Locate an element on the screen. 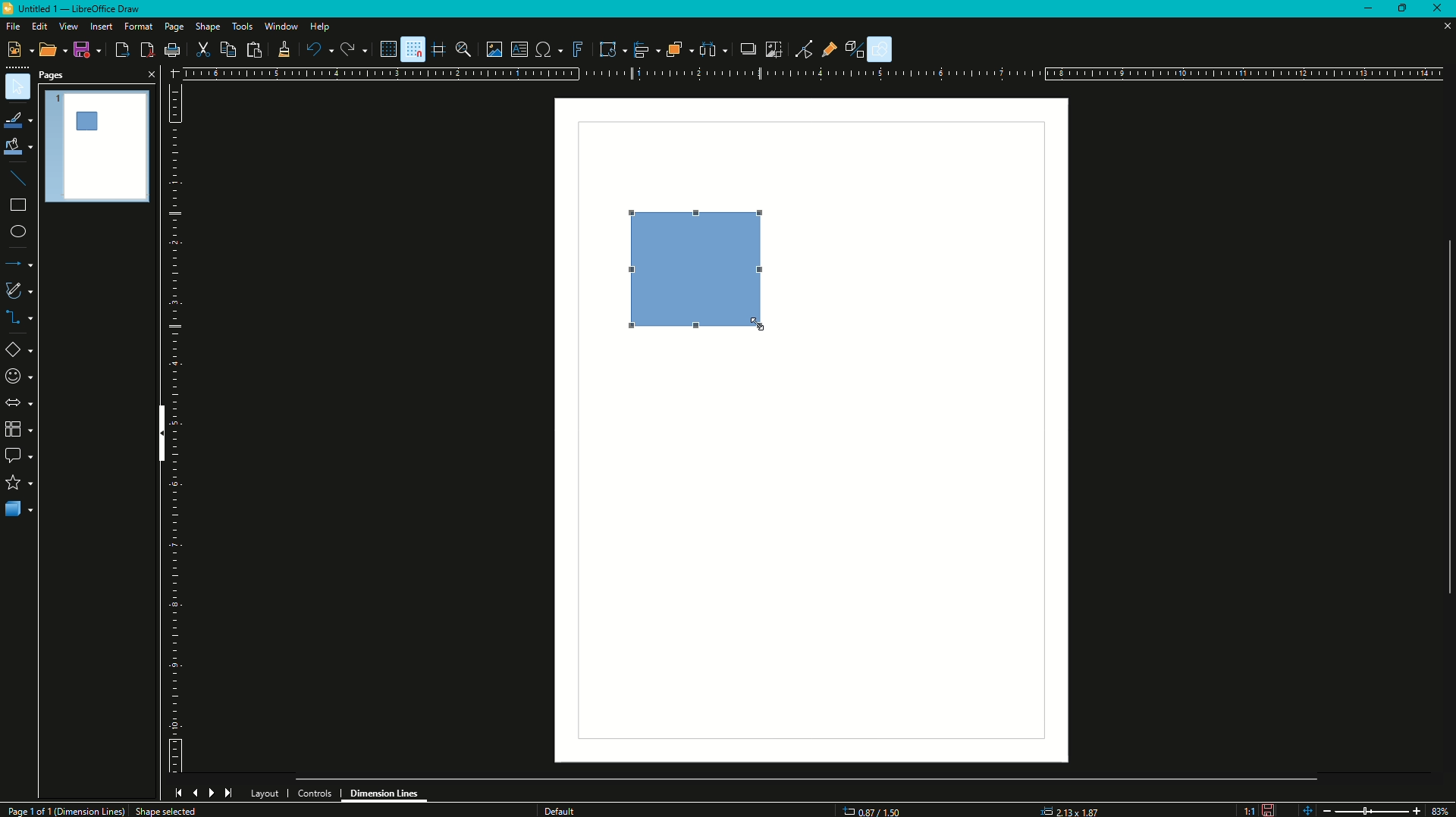  File is located at coordinates (12, 27).